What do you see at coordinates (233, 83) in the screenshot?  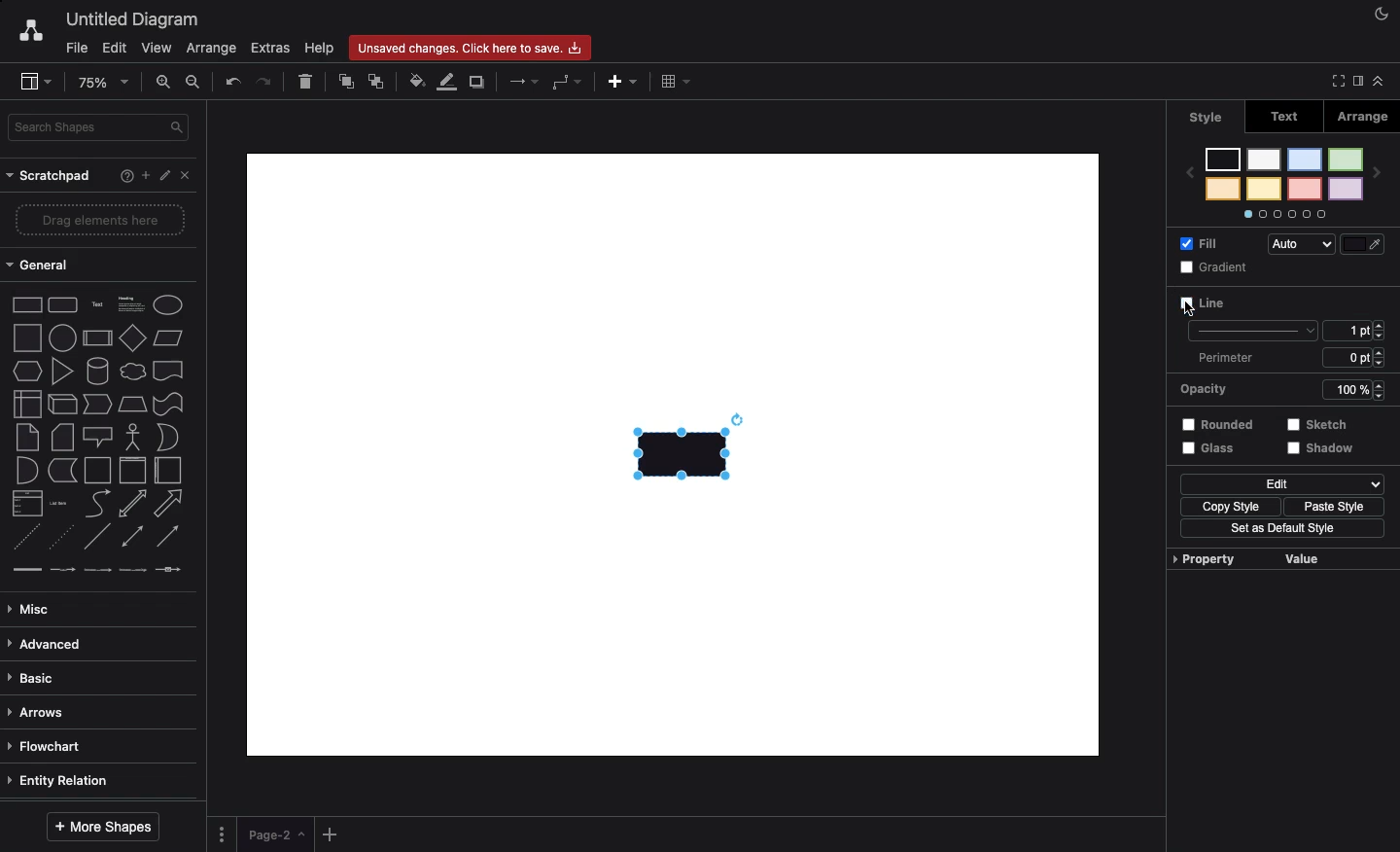 I see `Undo` at bounding box center [233, 83].